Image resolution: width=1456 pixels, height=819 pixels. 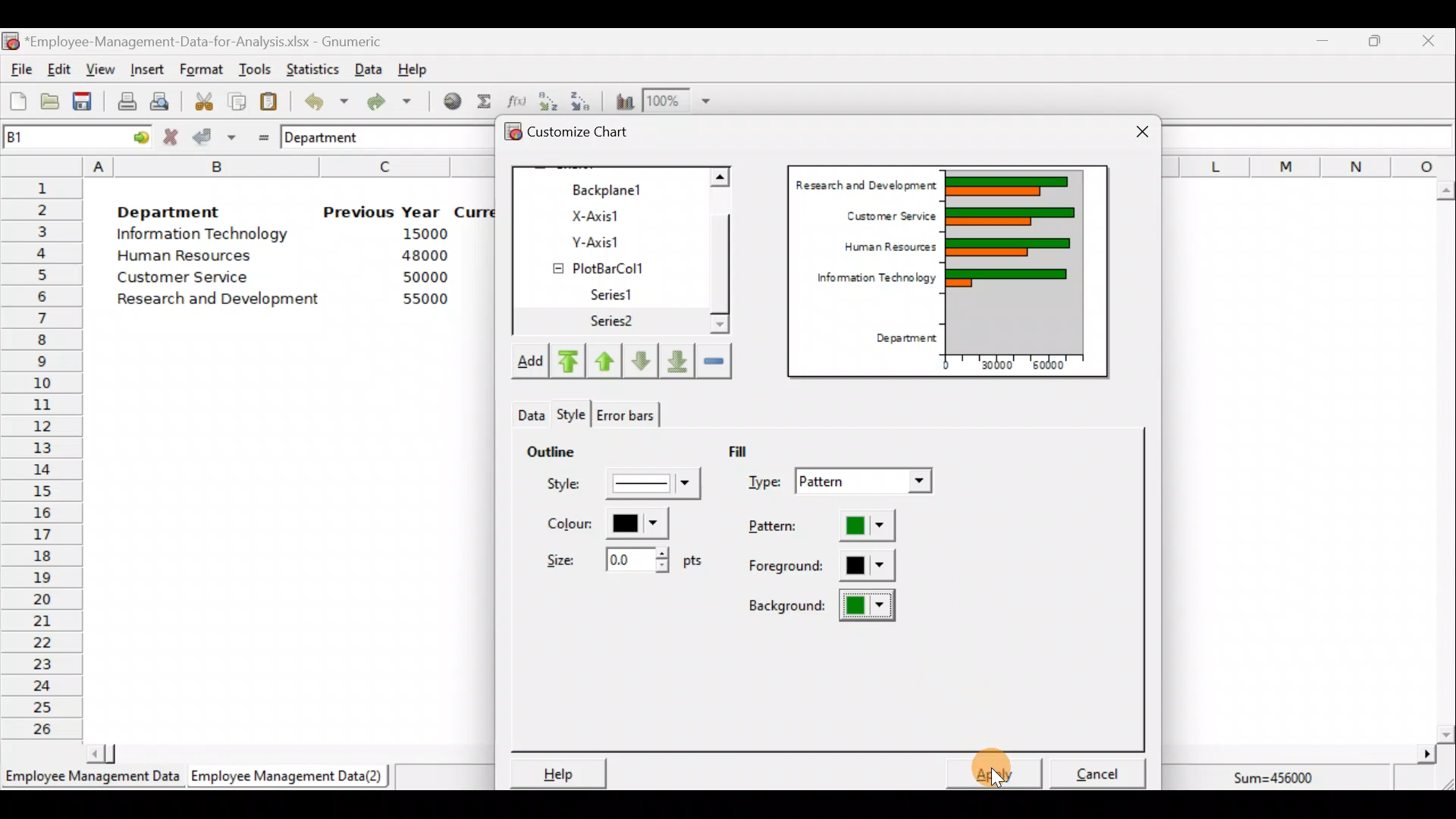 I want to click on Undo last action, so click(x=318, y=98).